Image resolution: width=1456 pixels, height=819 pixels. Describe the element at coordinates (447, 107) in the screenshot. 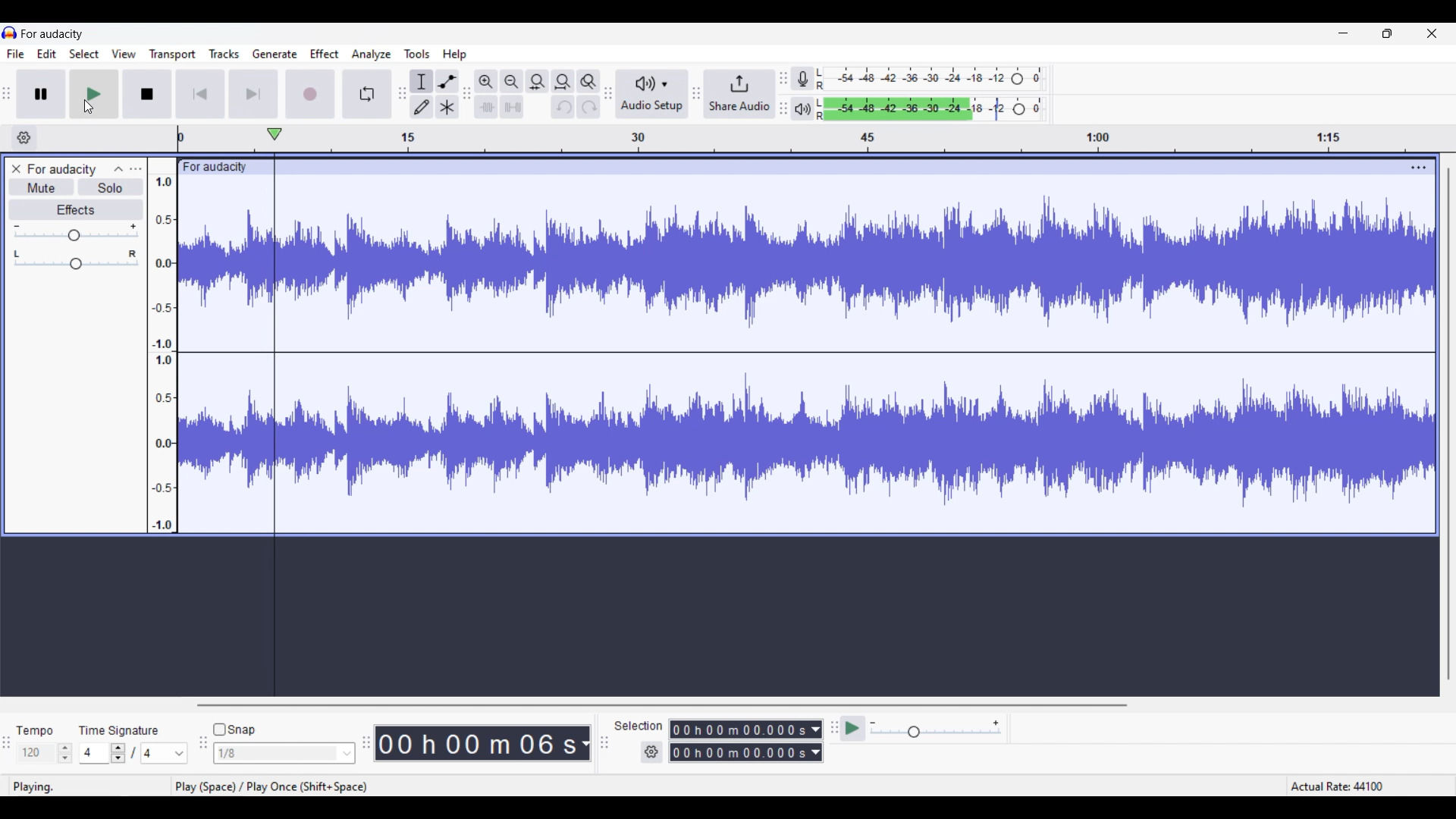

I see `Multi tool` at that location.